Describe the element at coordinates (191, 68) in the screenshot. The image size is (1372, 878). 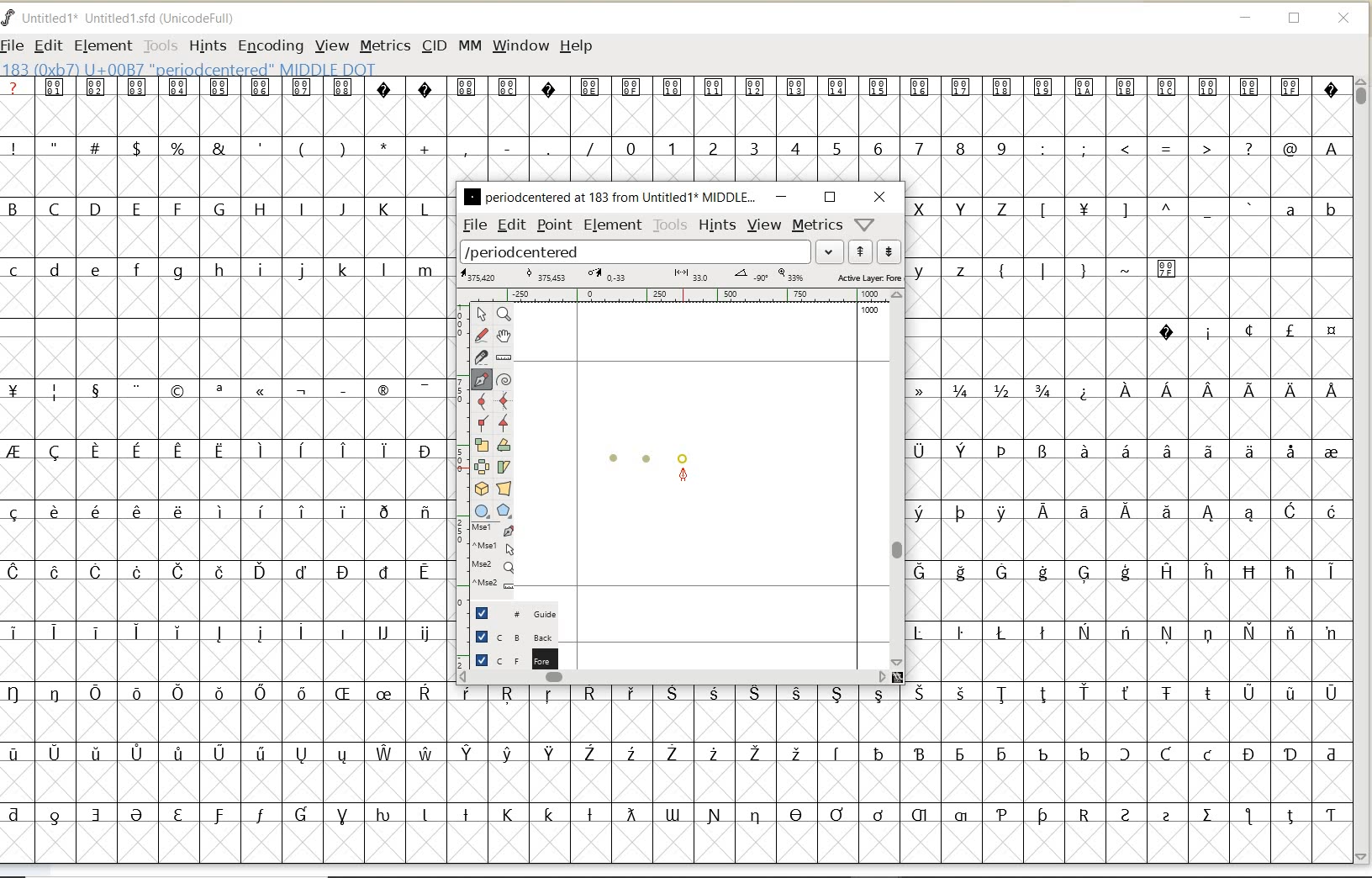
I see `glyph info` at that location.